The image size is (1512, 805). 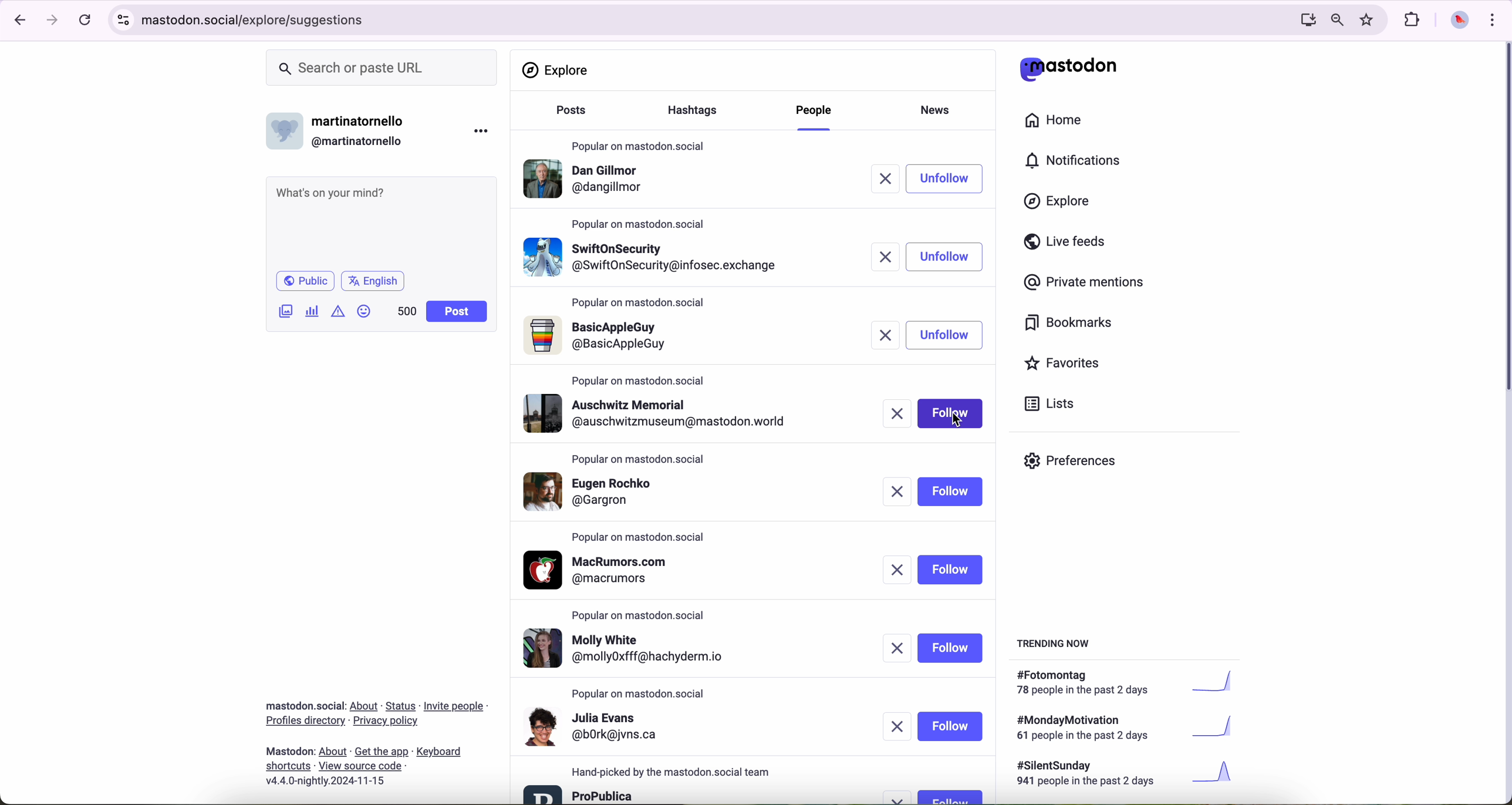 I want to click on charts, so click(x=315, y=311).